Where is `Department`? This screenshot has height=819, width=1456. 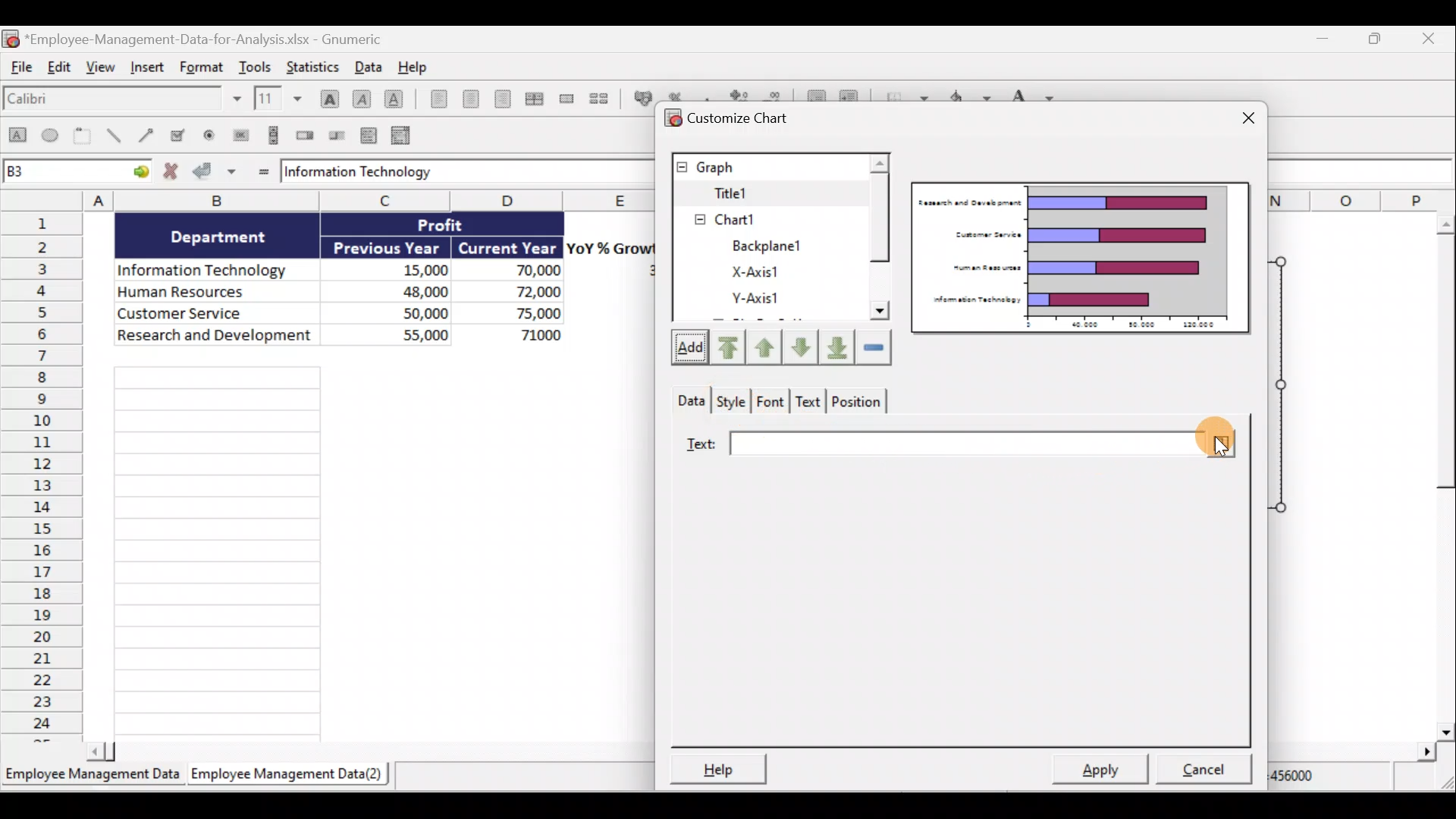 Department is located at coordinates (228, 237).